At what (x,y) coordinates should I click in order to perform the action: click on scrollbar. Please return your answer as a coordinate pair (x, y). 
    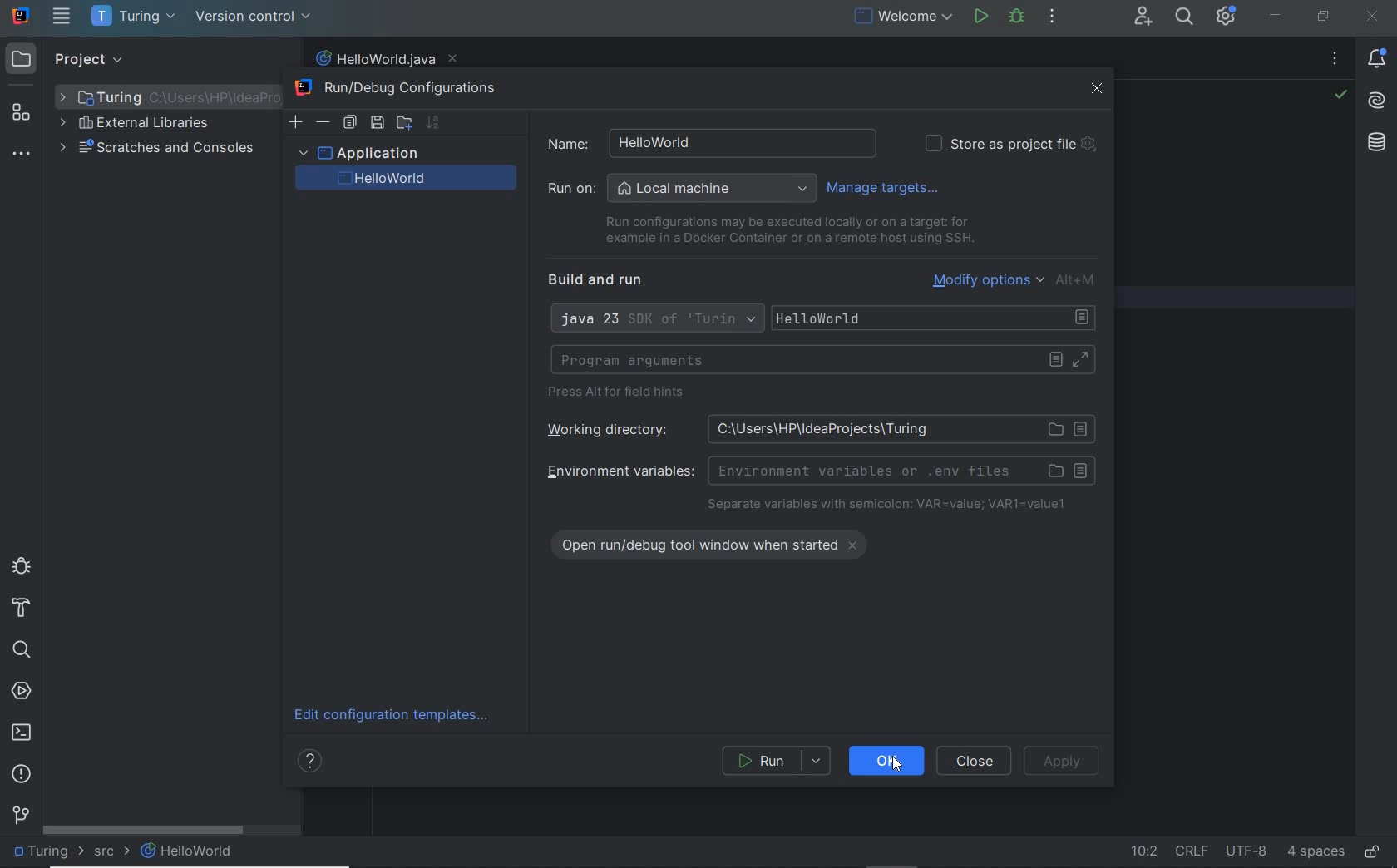
    Looking at the image, I should click on (144, 830).